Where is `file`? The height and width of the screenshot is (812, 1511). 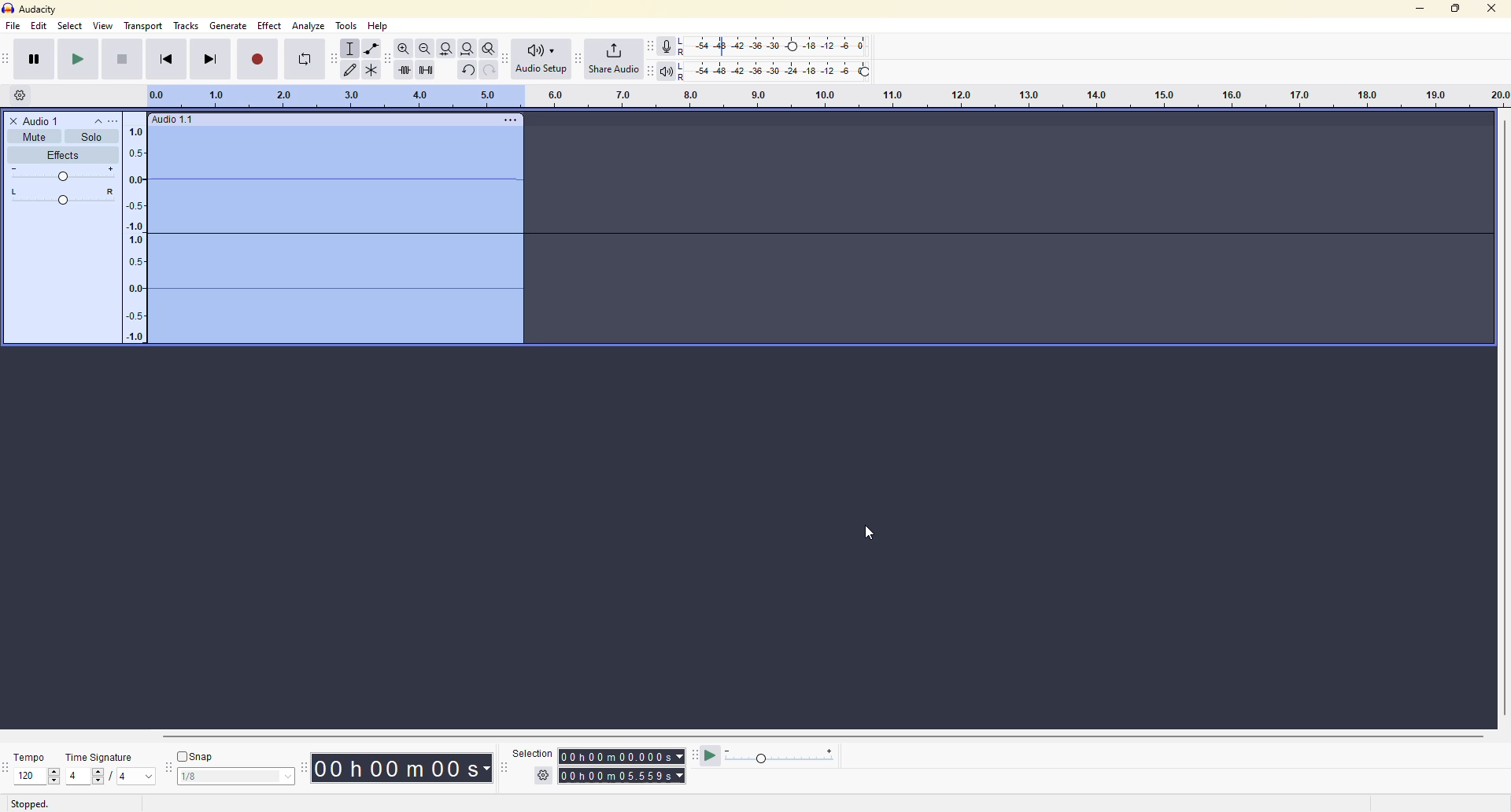
file is located at coordinates (13, 26).